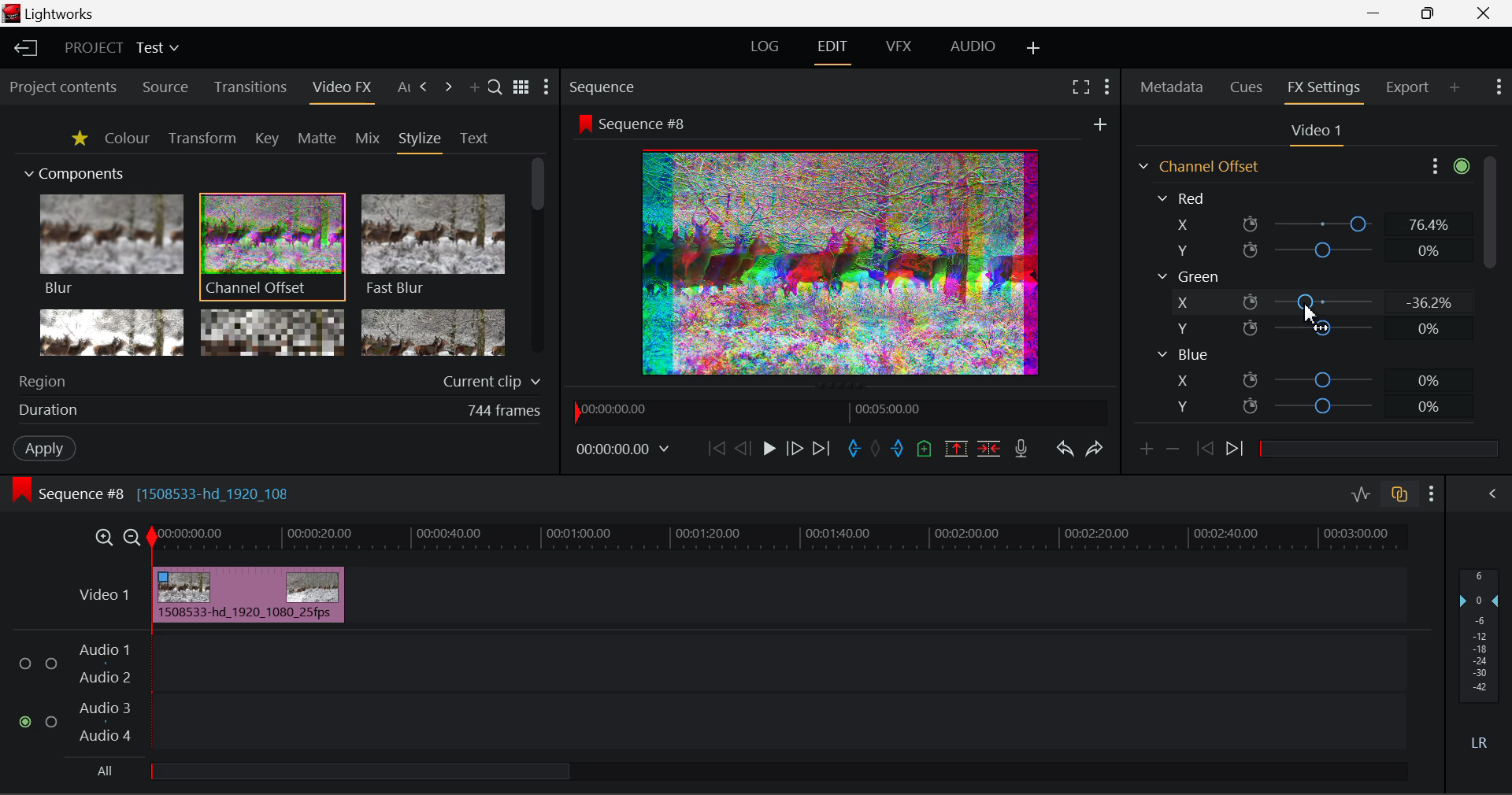 This screenshot has width=1512, height=795. What do you see at coordinates (272, 248) in the screenshot?
I see `Channel Offset` at bounding box center [272, 248].